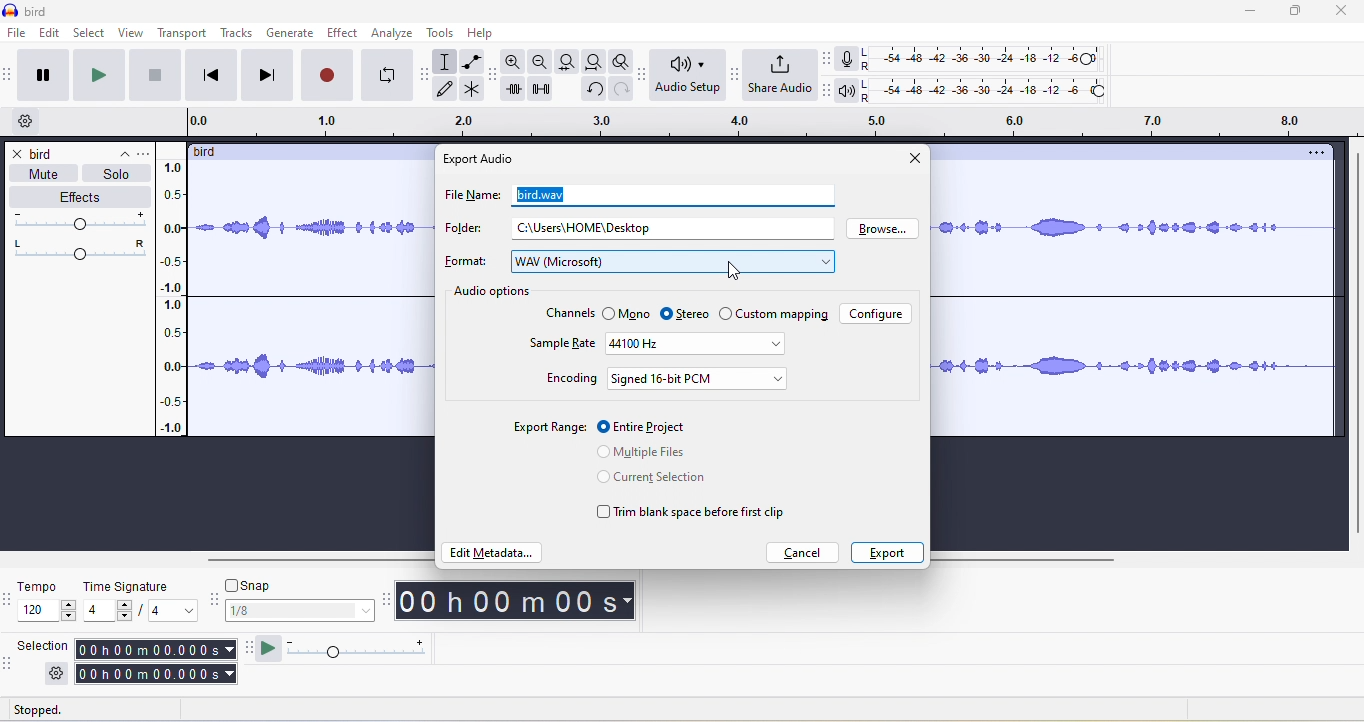 The image size is (1364, 722). Describe the element at coordinates (103, 76) in the screenshot. I see `play` at that location.